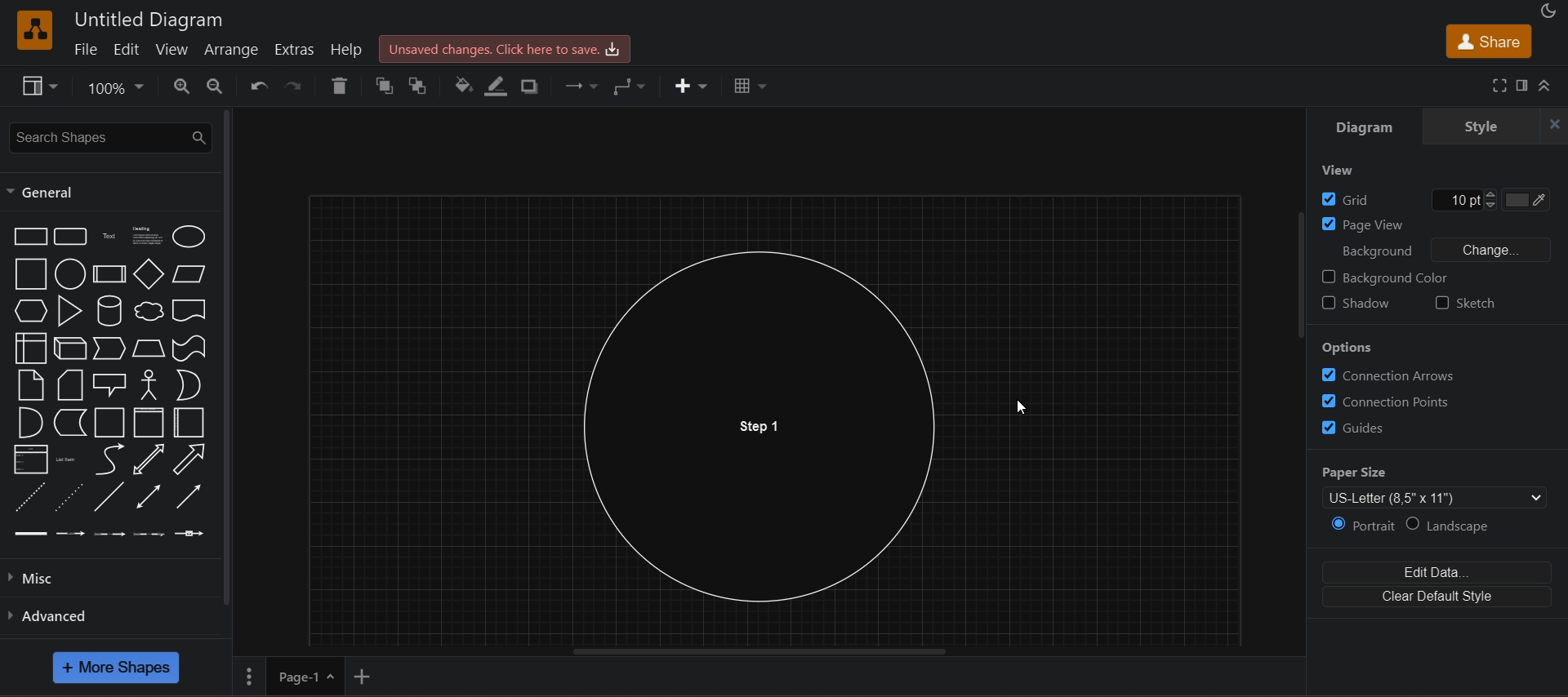 The image size is (1568, 697). What do you see at coordinates (228, 358) in the screenshot?
I see `vertical scroll bar` at bounding box center [228, 358].